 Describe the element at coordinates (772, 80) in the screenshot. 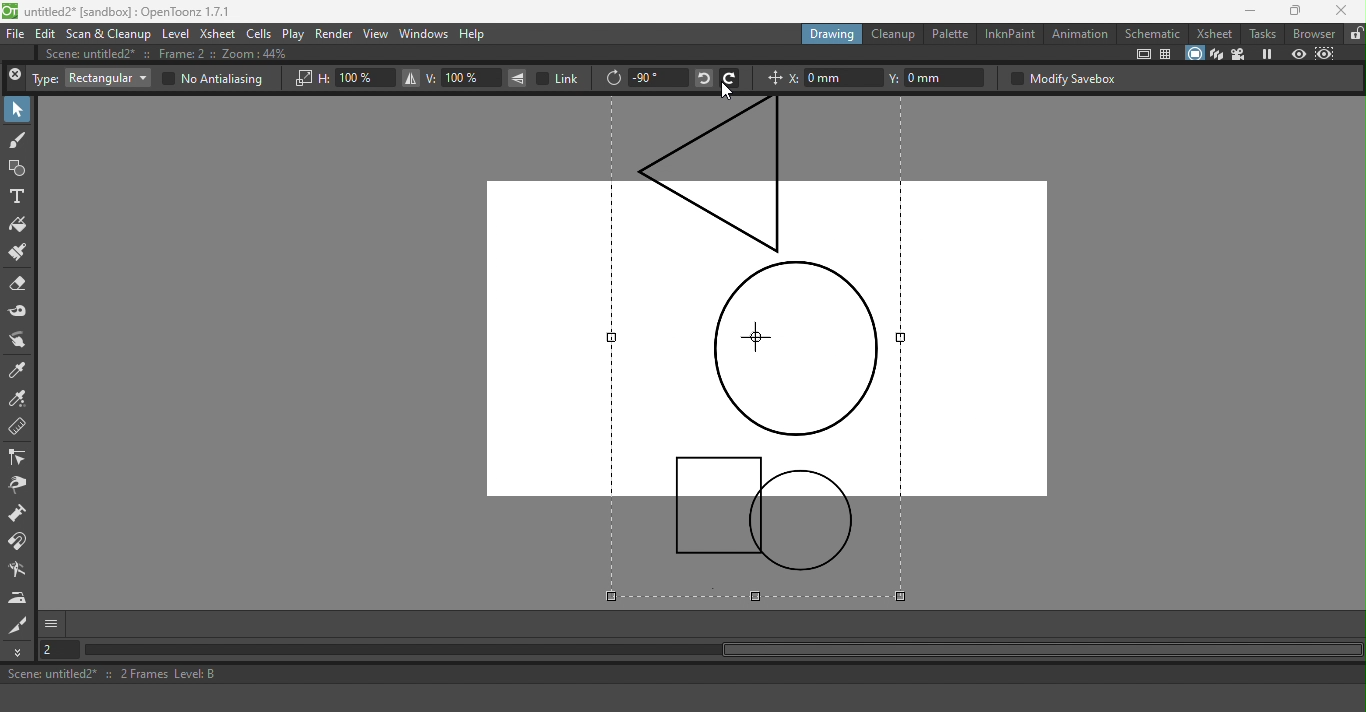

I see `Position` at that location.